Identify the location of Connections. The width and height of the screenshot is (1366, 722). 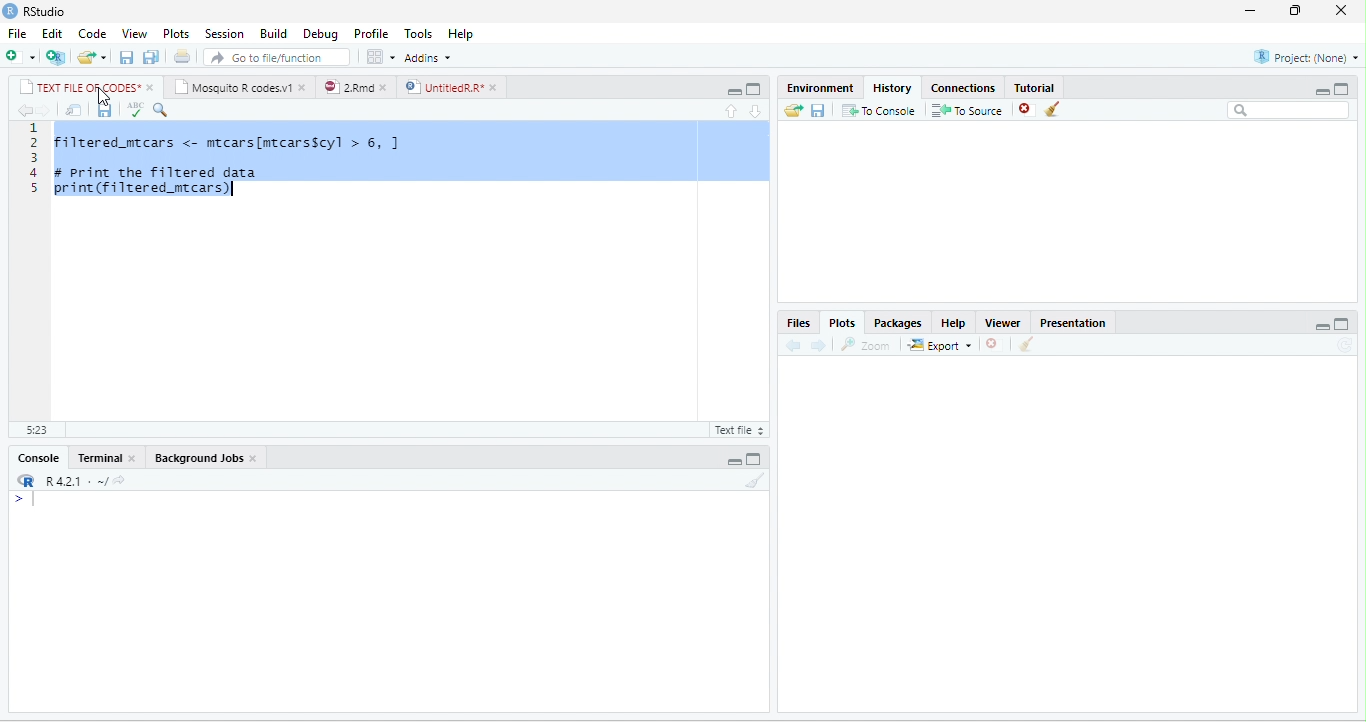
(963, 88).